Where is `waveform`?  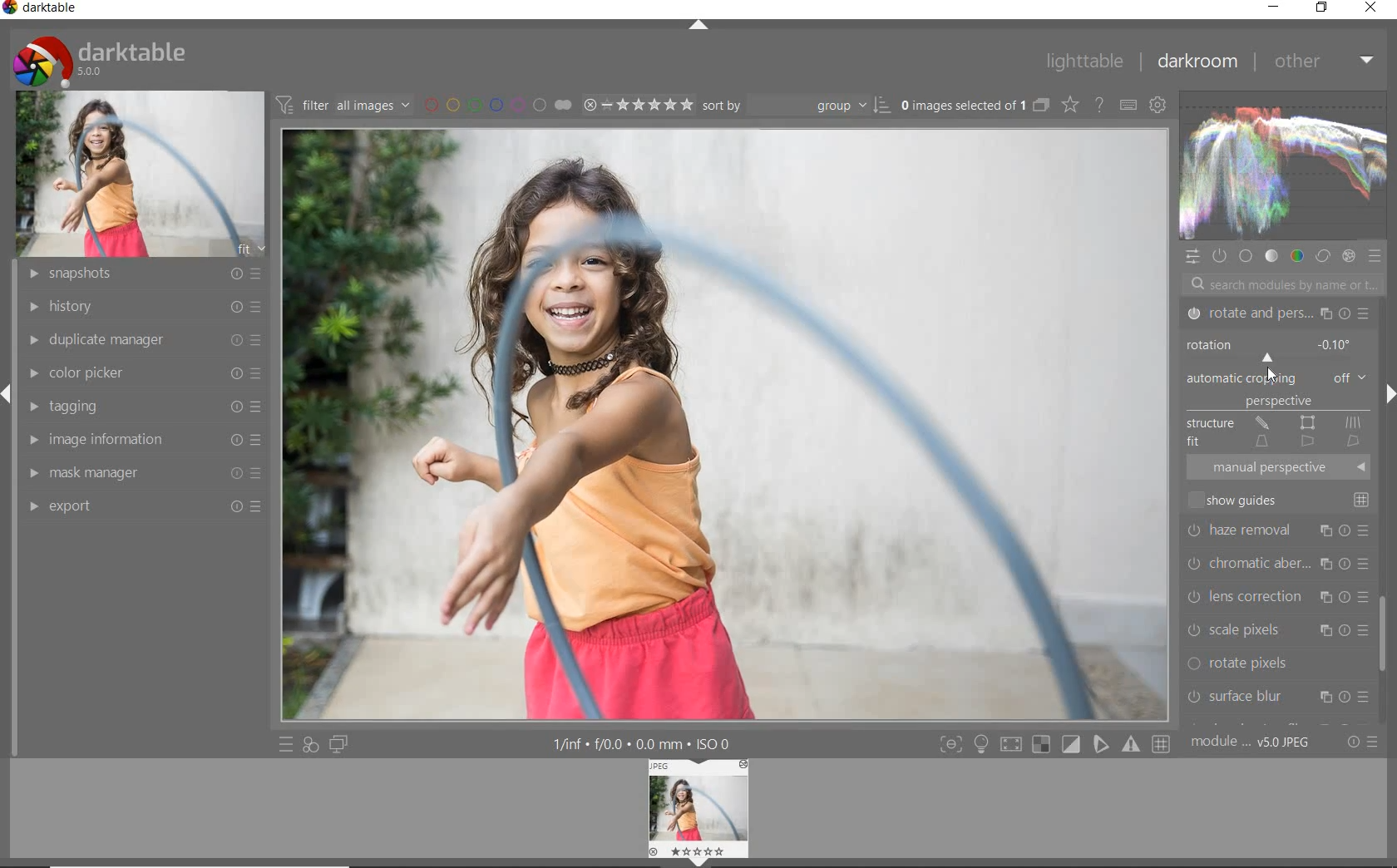
waveform is located at coordinates (1281, 165).